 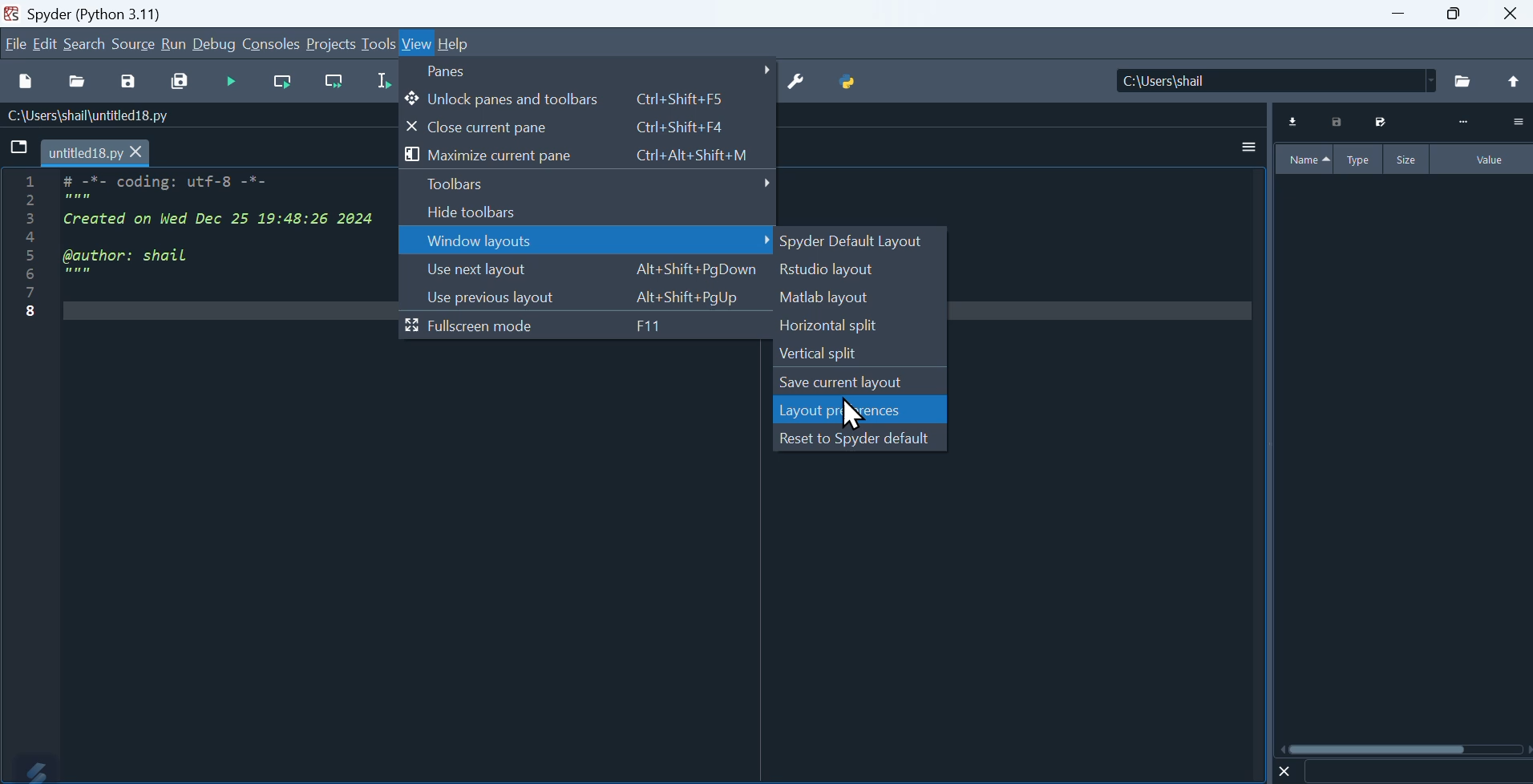 I want to click on Maximize, so click(x=1454, y=14).